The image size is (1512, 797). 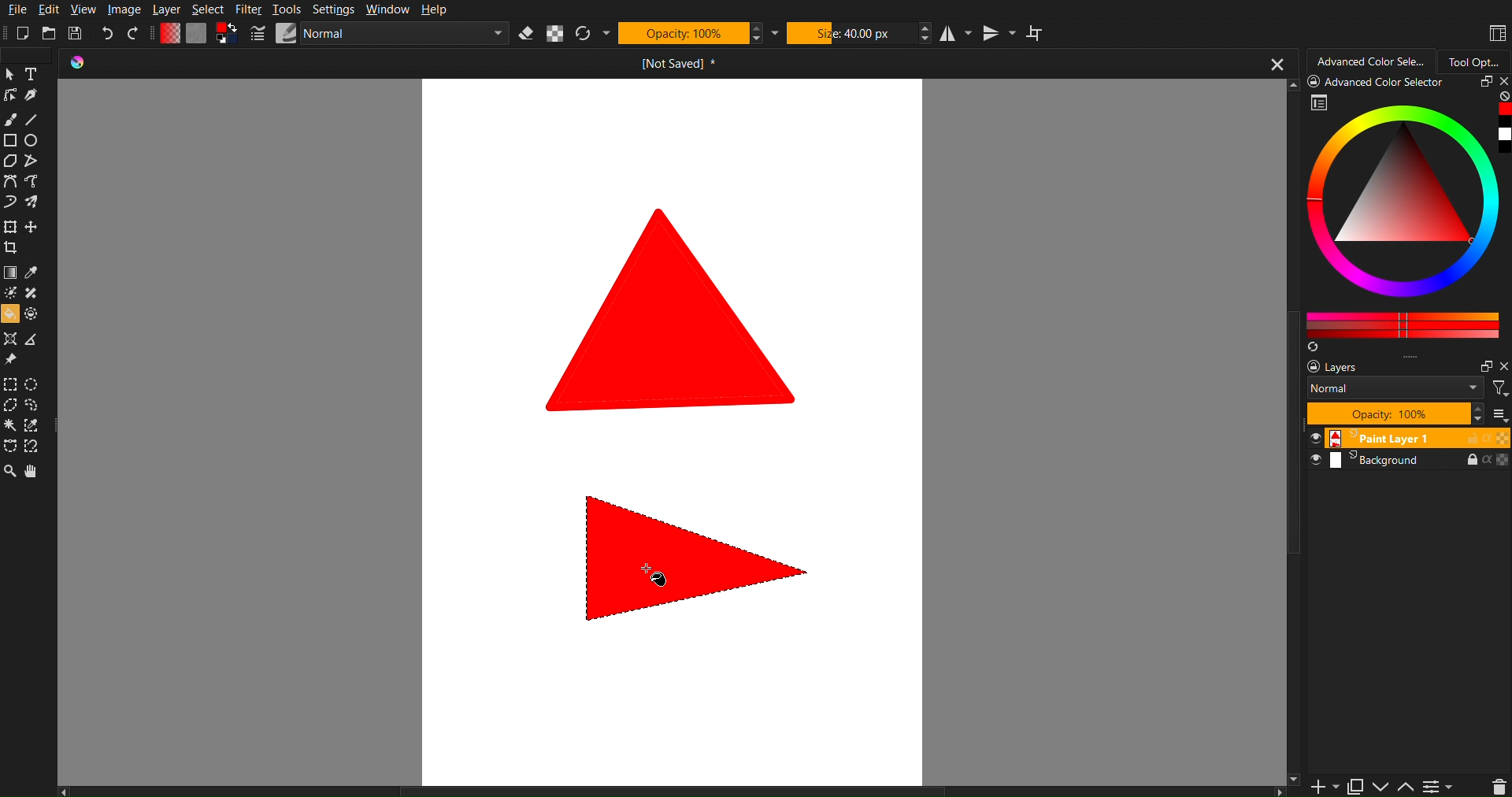 What do you see at coordinates (9, 95) in the screenshot?
I see `Lineart Tools` at bounding box center [9, 95].